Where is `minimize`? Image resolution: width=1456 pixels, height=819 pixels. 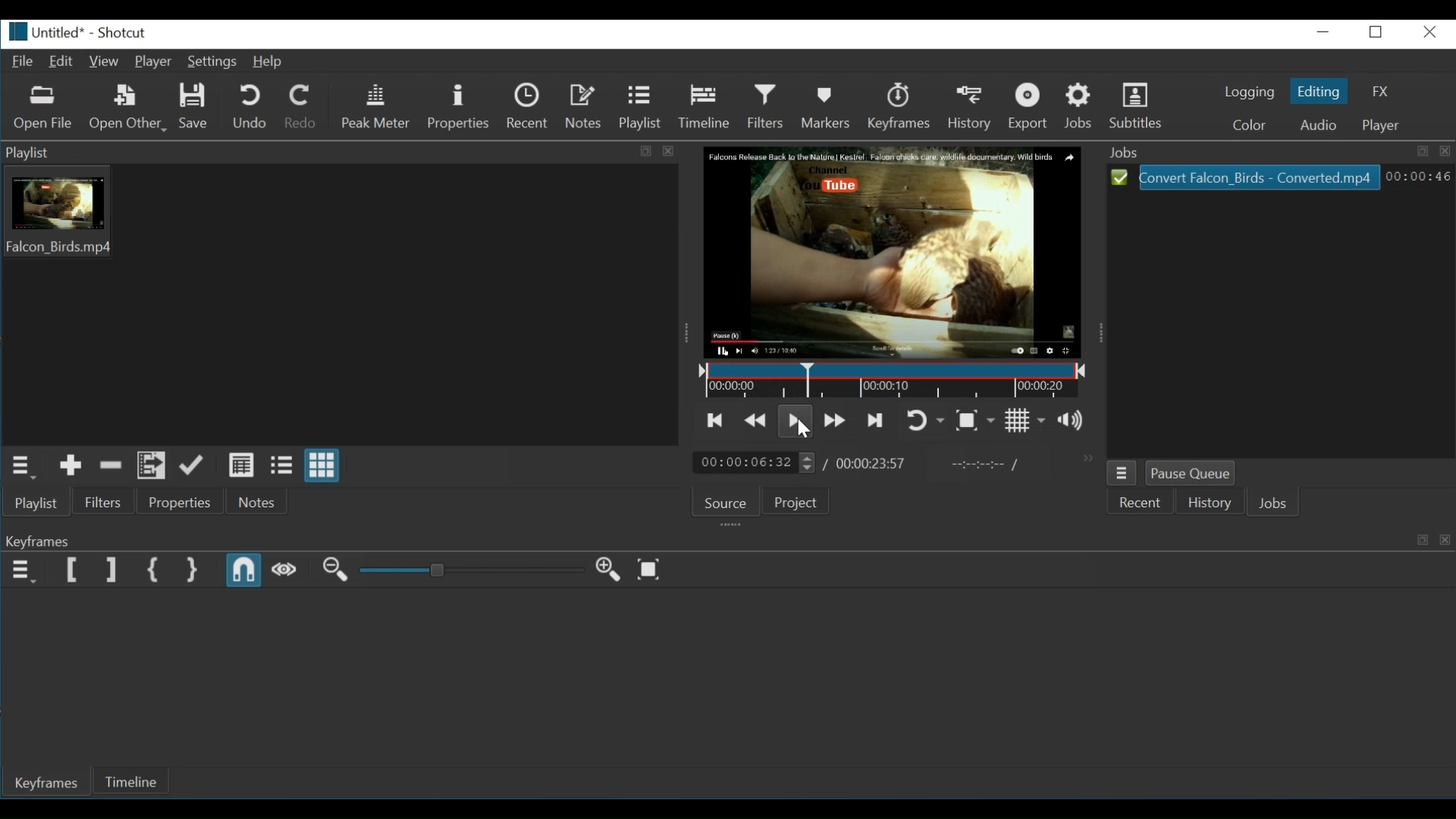
minimize is located at coordinates (1319, 34).